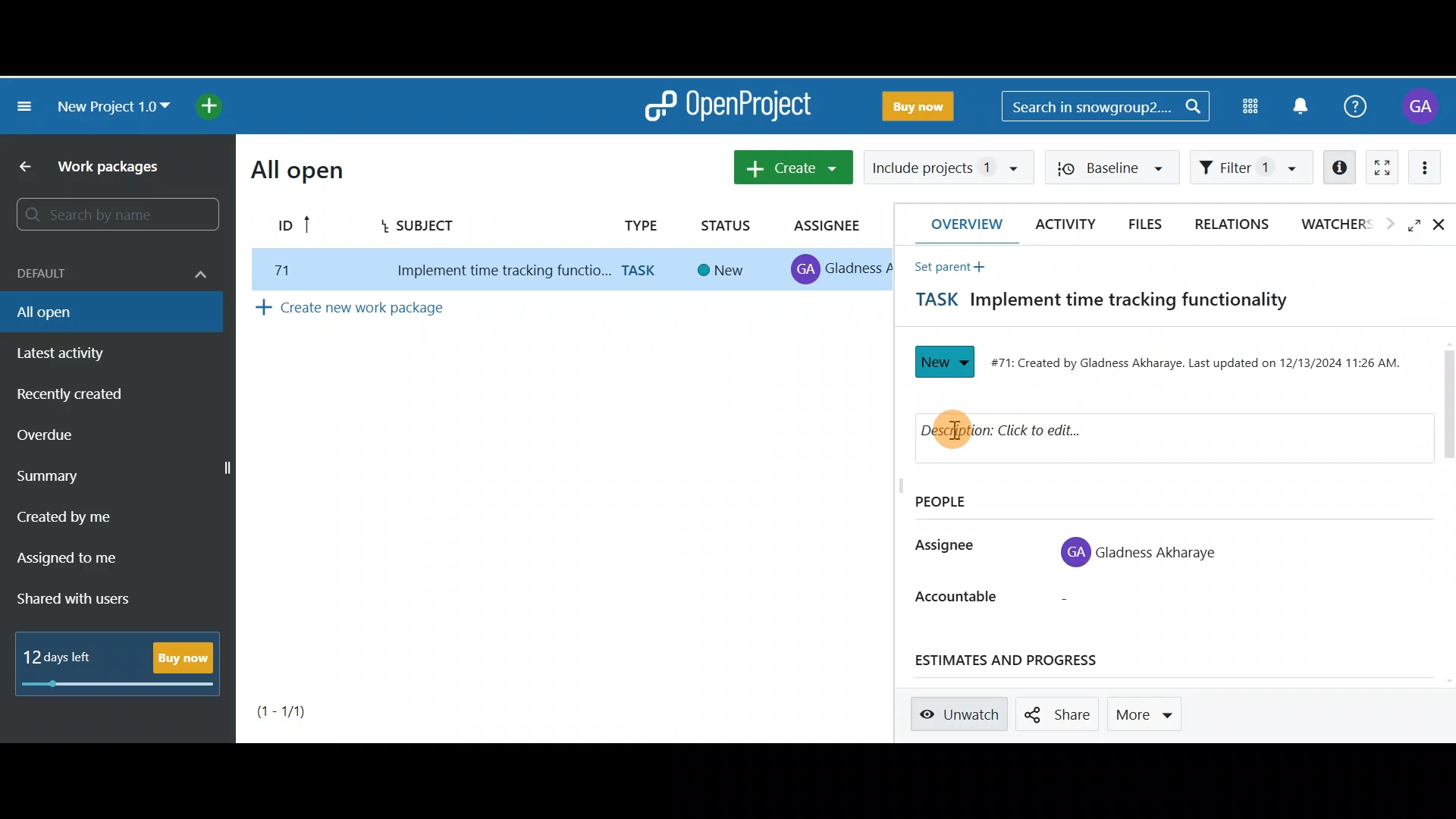  I want to click on progress bar, so click(120, 686).